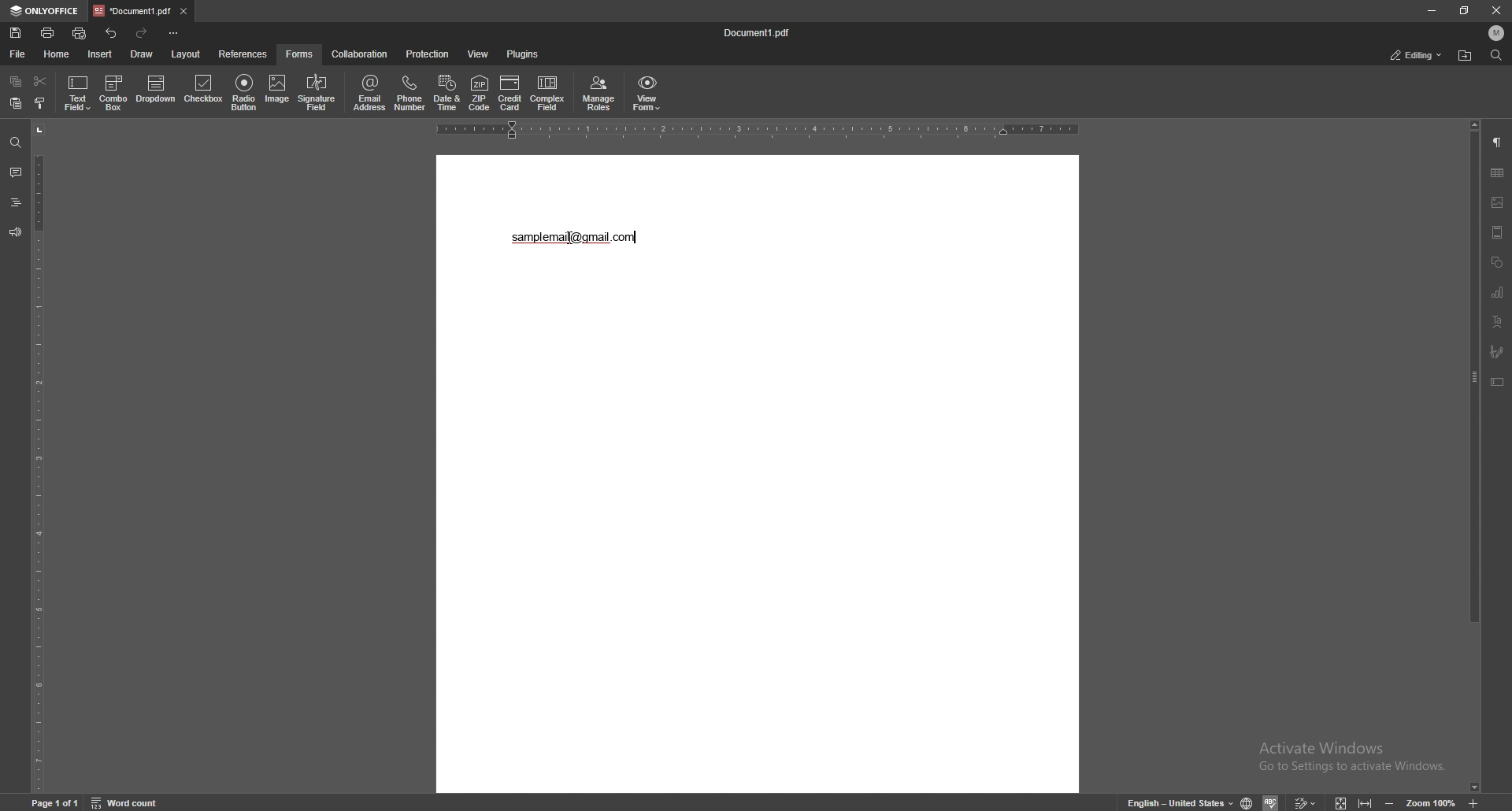 Image resolution: width=1512 pixels, height=811 pixels. Describe the element at coordinates (647, 94) in the screenshot. I see `view form` at that location.